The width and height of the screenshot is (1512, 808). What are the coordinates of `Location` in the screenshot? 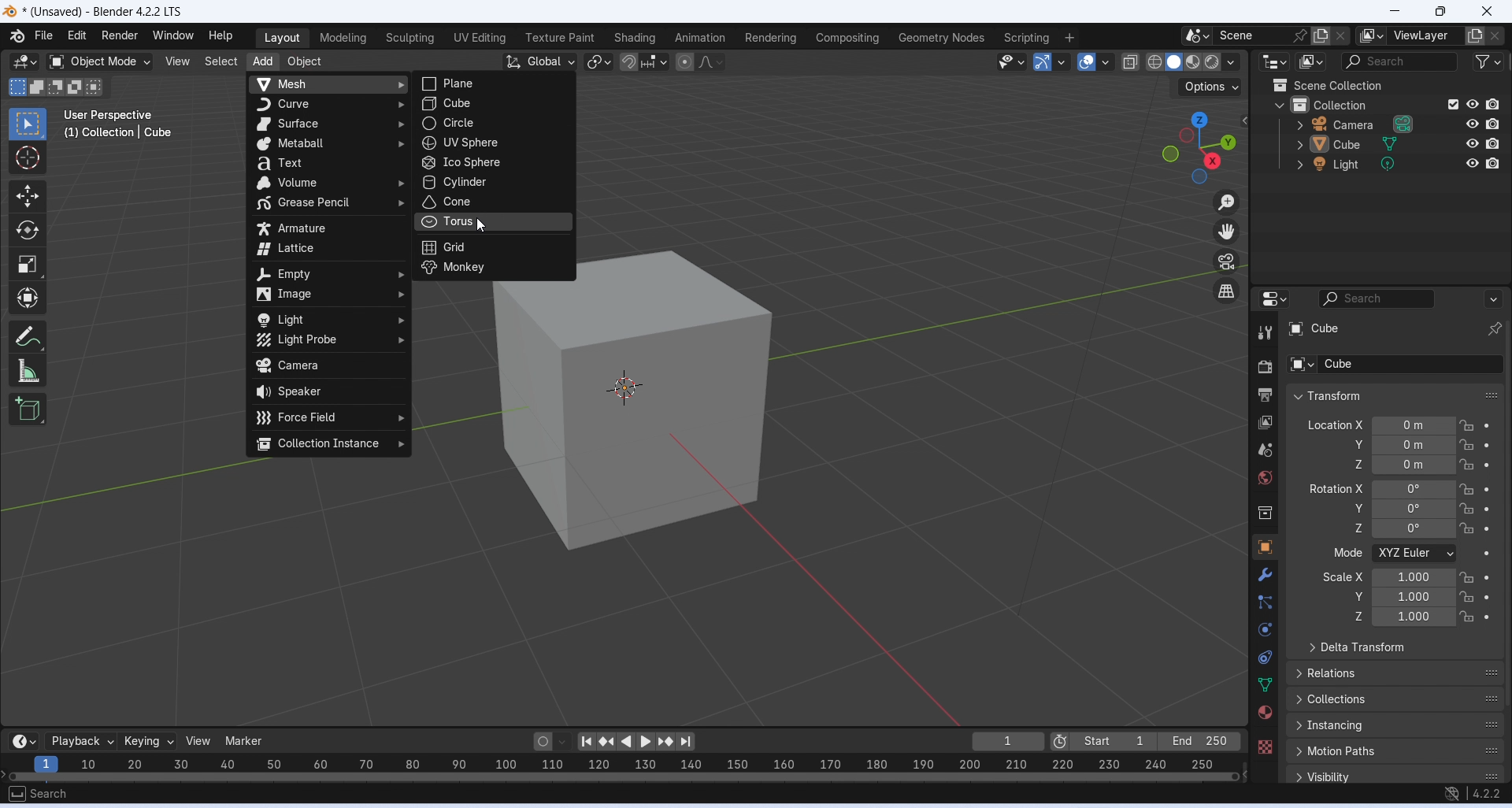 It's located at (1432, 425).